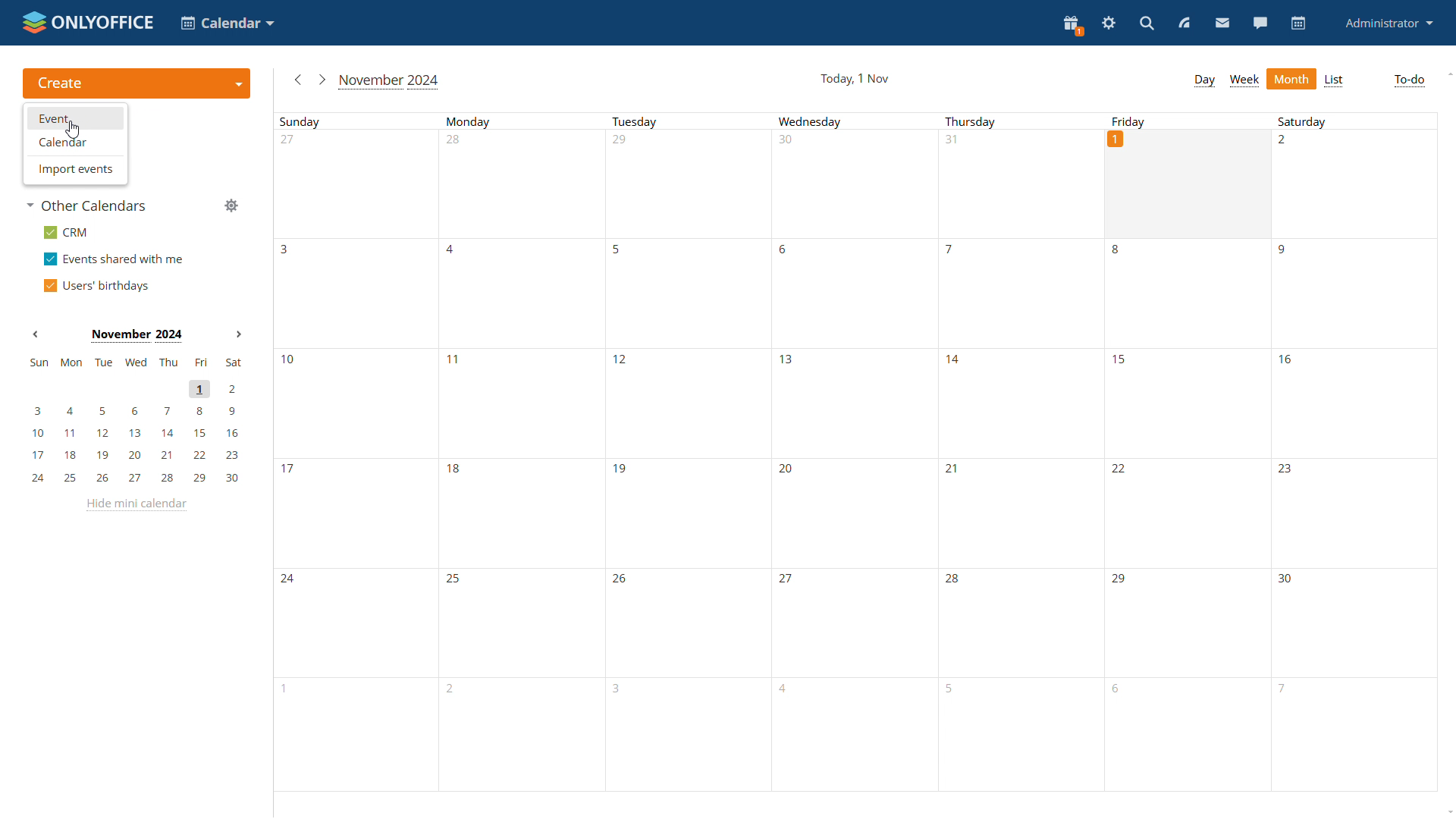 The width and height of the screenshot is (1456, 819). What do you see at coordinates (1335, 80) in the screenshot?
I see `list view ` at bounding box center [1335, 80].